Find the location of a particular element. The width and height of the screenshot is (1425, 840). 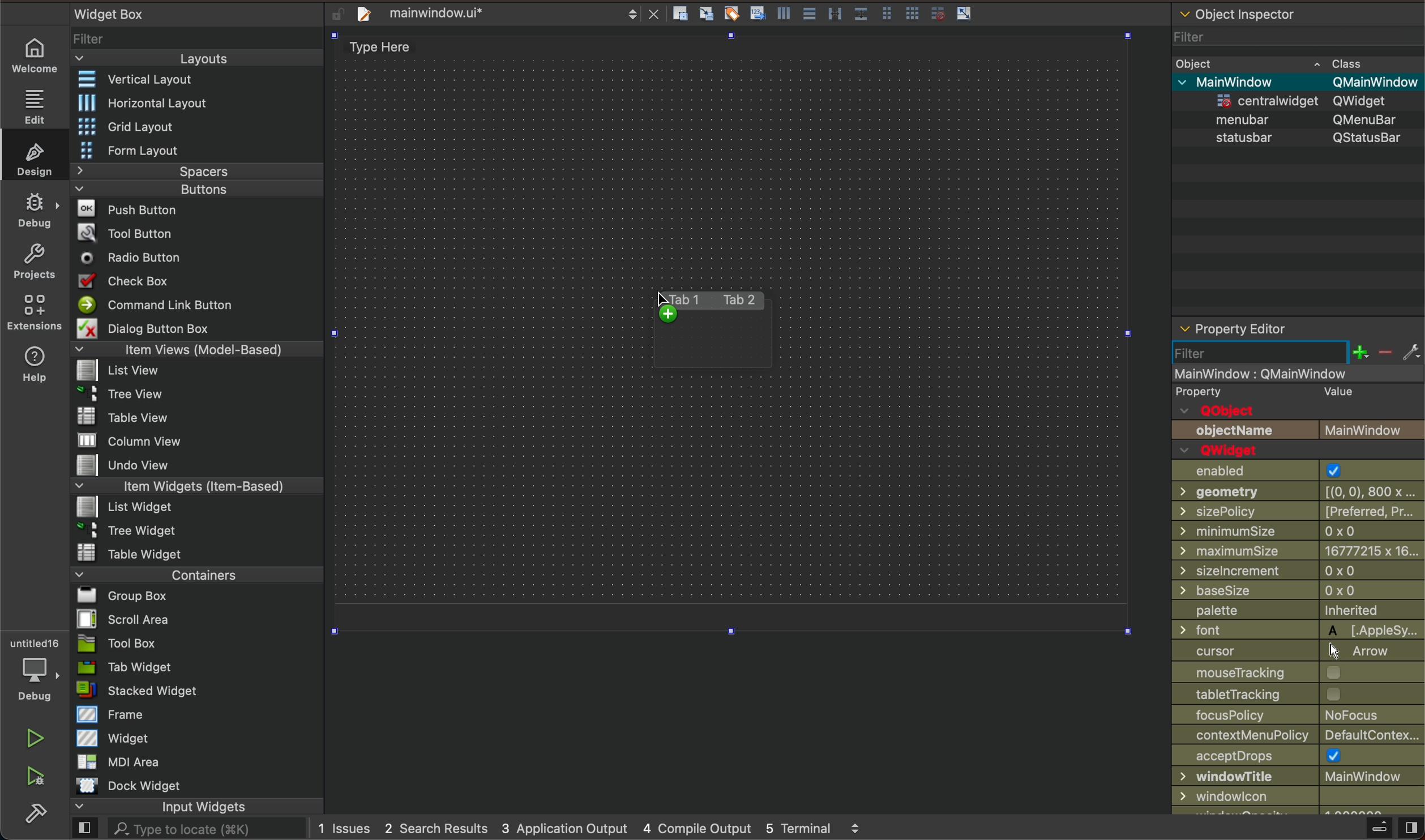

Item Widgets (Item-Based) is located at coordinates (198, 486).